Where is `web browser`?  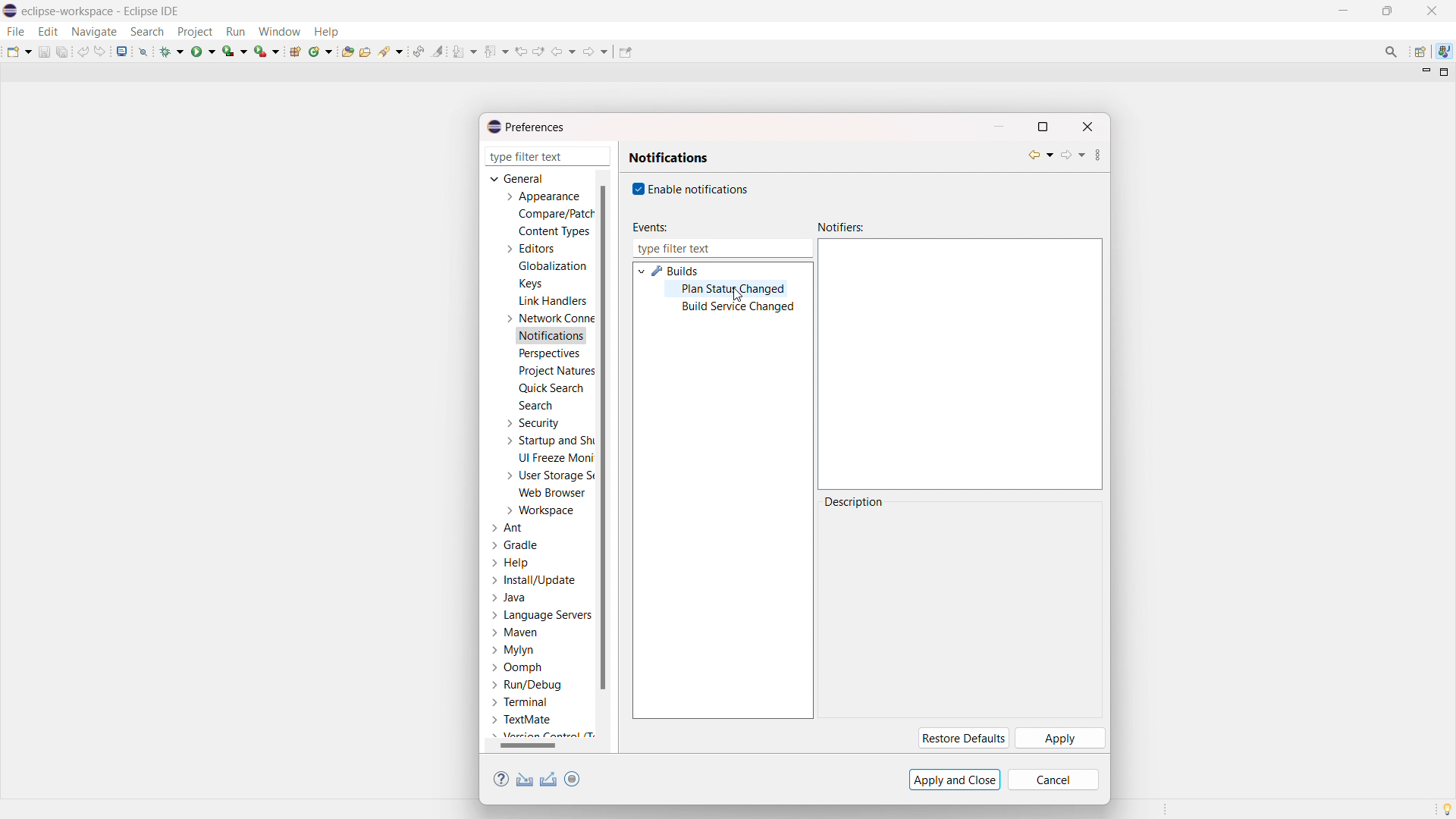
web browser is located at coordinates (553, 492).